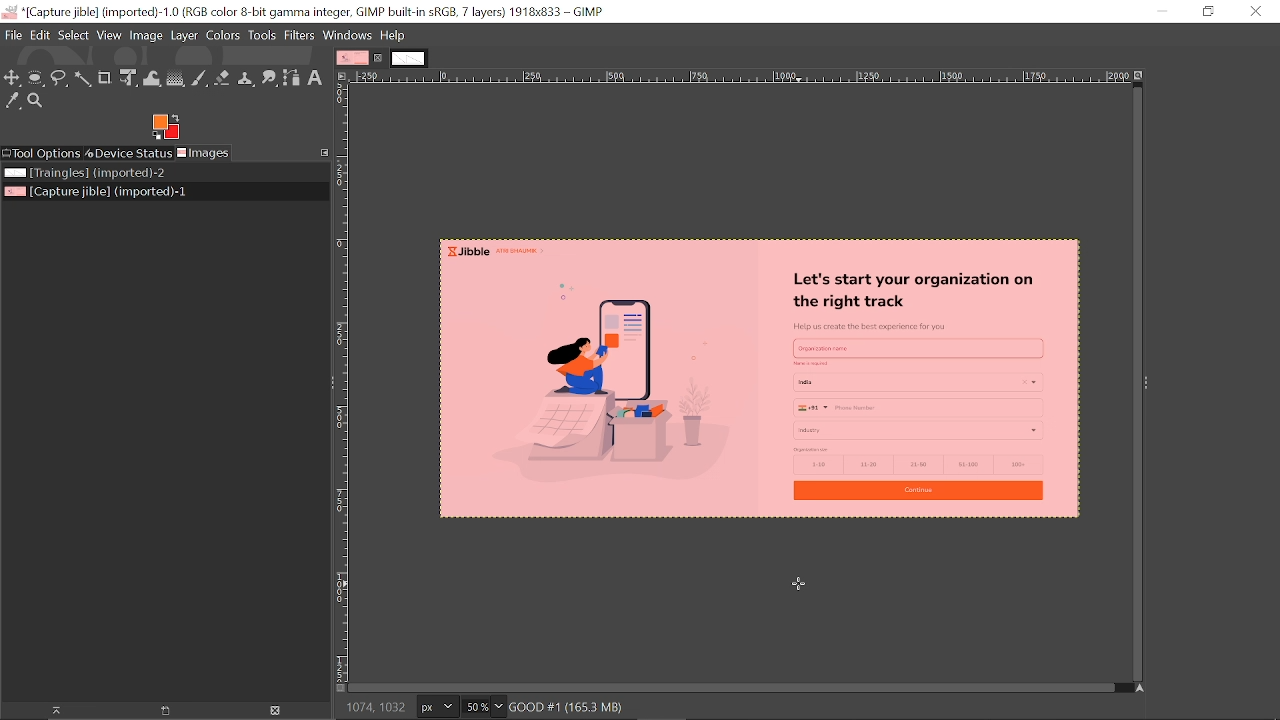 The width and height of the screenshot is (1280, 720). Describe the element at coordinates (224, 36) in the screenshot. I see `Colors` at that location.